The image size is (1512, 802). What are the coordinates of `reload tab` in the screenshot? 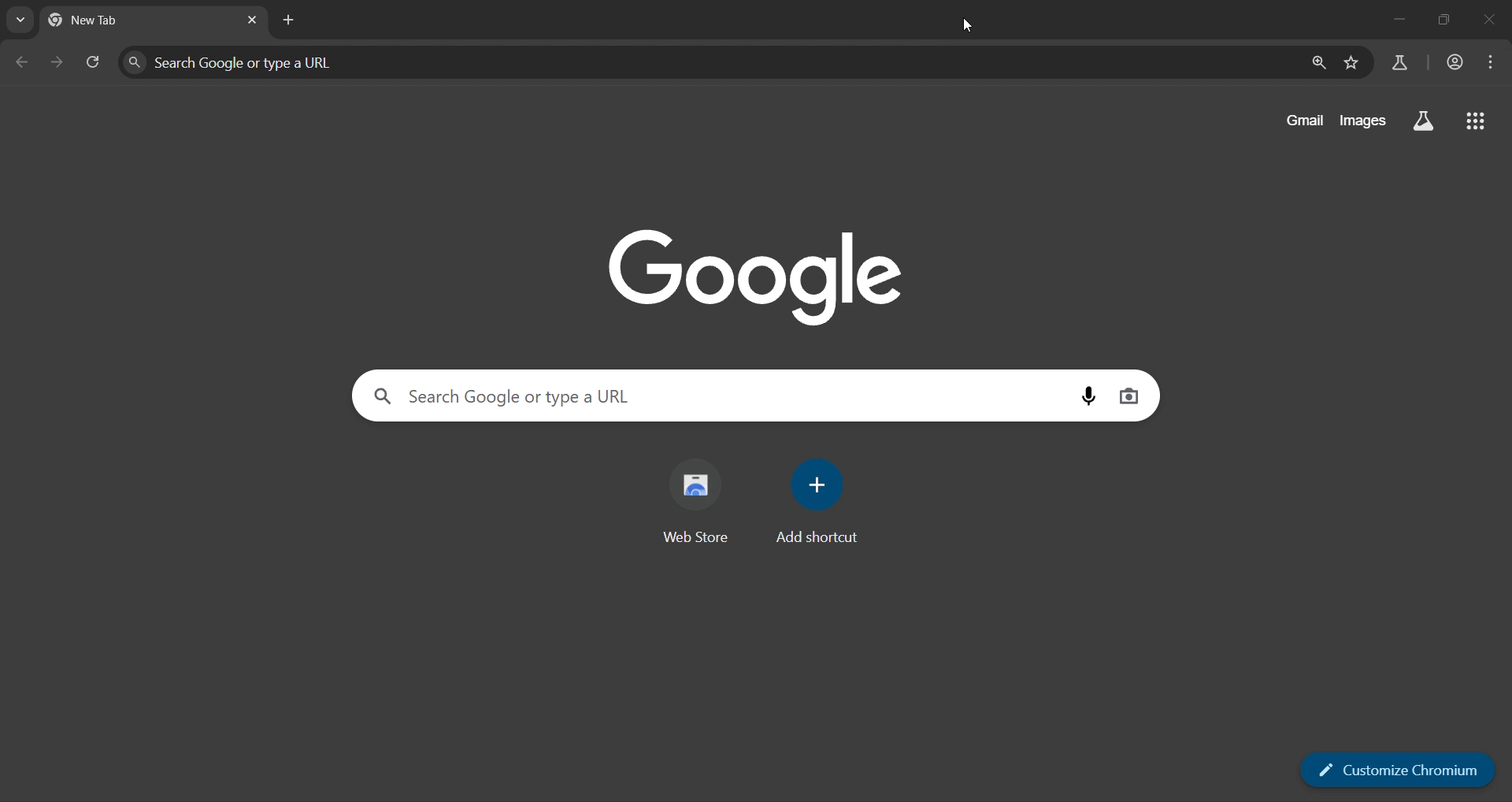 It's located at (95, 61).